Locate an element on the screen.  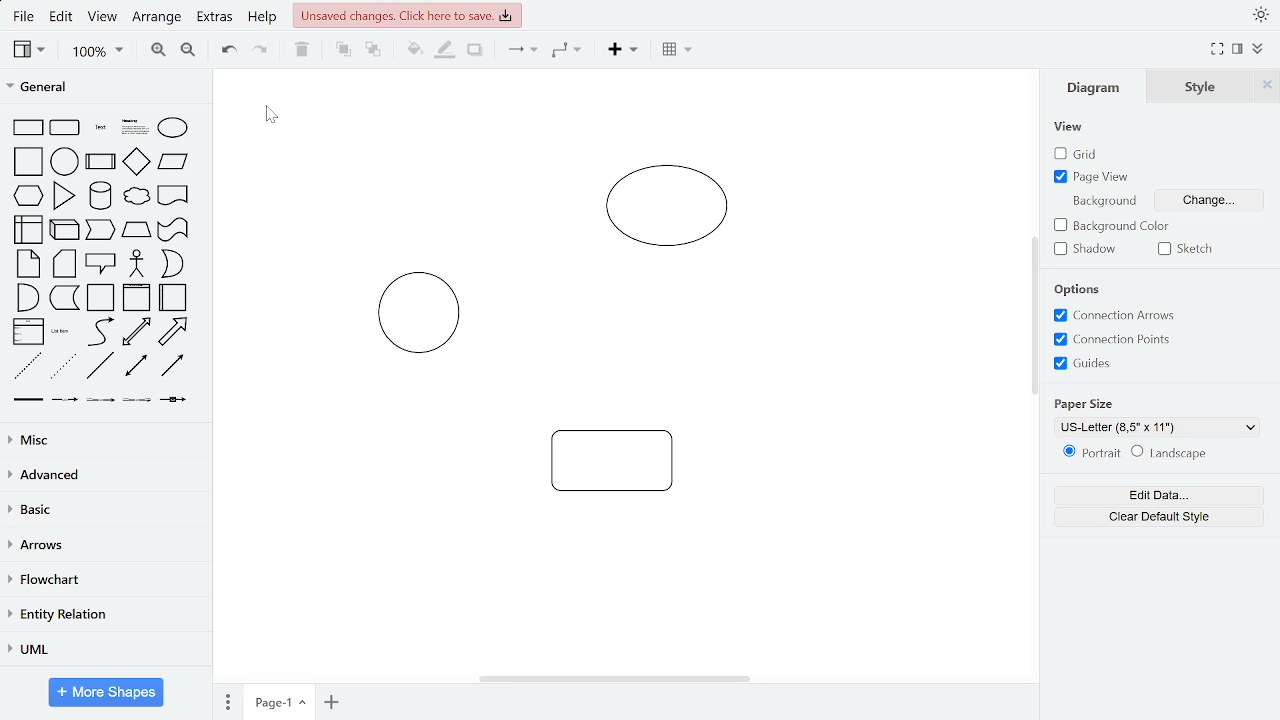
rectangle is located at coordinates (29, 127).